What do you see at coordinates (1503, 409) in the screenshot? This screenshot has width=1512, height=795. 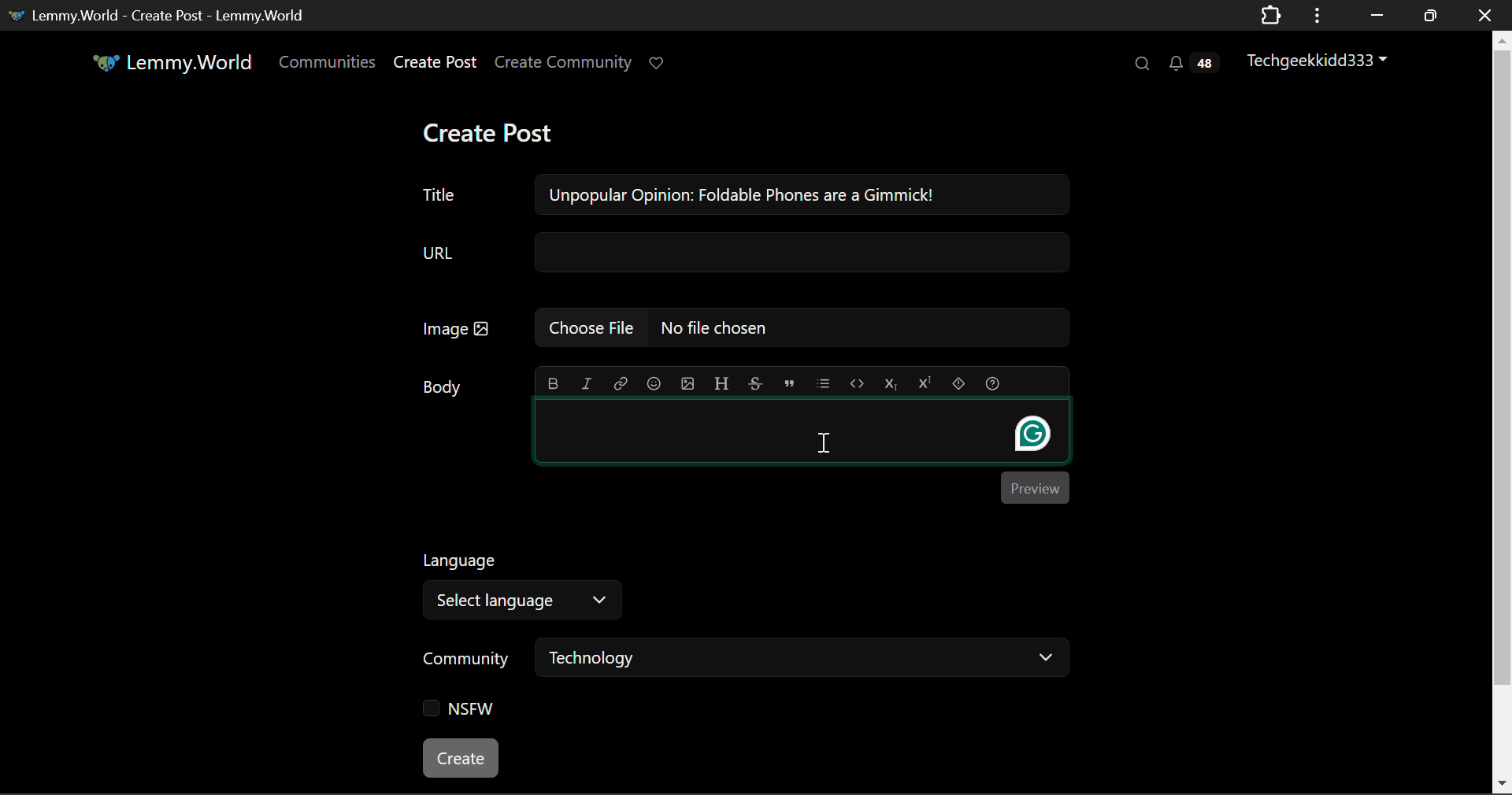 I see `Scroll Bar` at bounding box center [1503, 409].